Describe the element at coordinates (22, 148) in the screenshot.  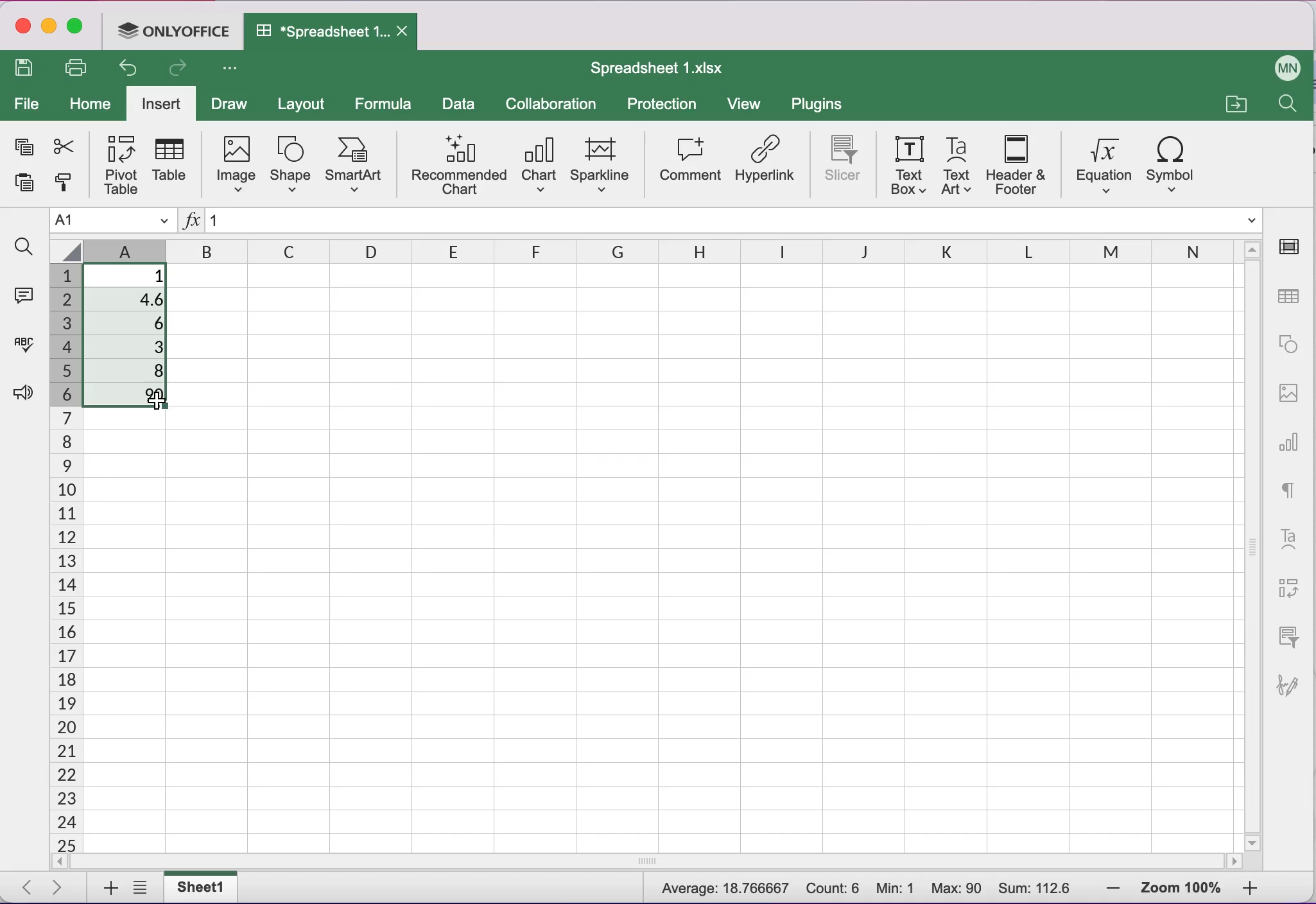
I see `copy` at that location.